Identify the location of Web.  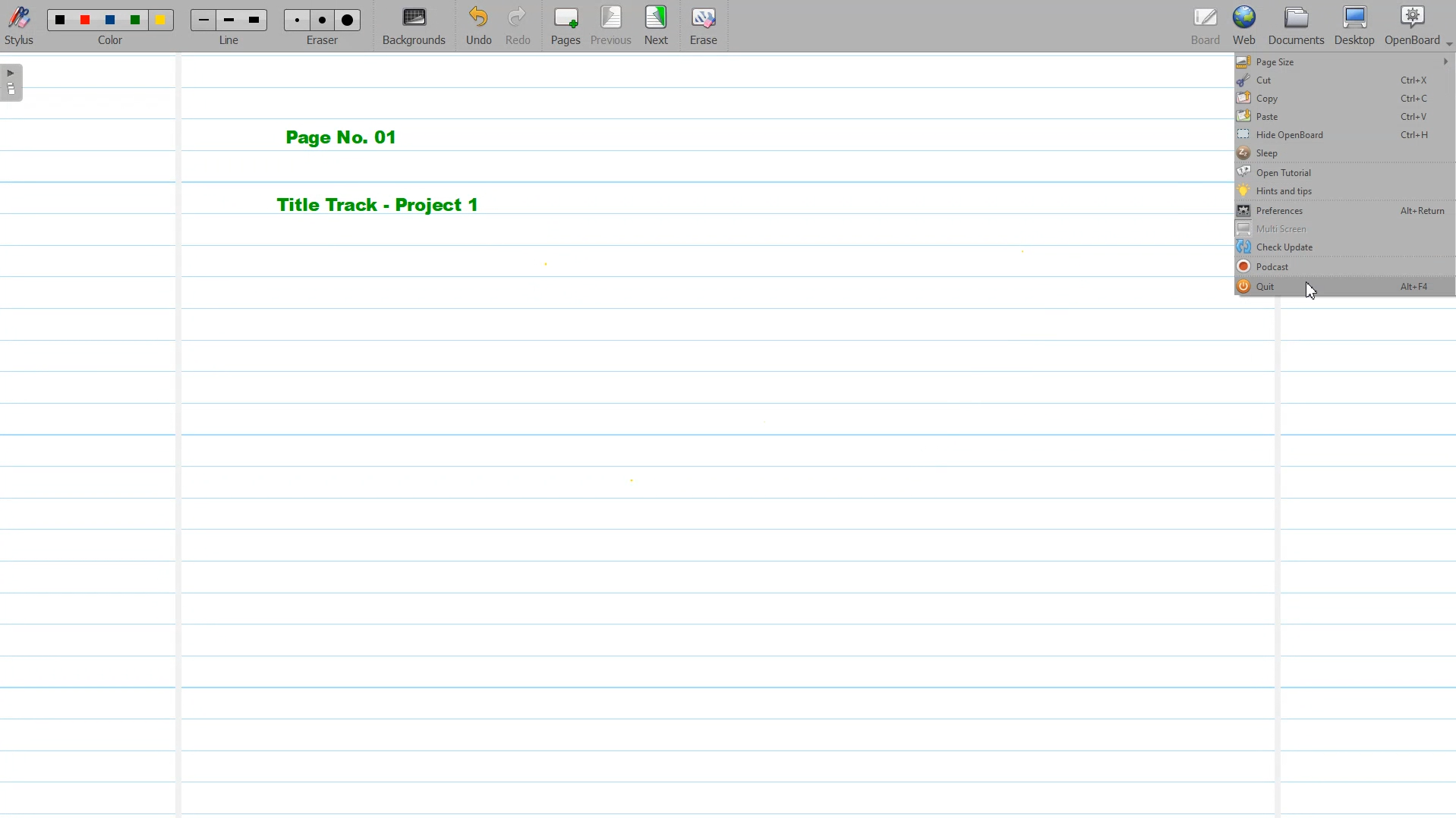
(1243, 26).